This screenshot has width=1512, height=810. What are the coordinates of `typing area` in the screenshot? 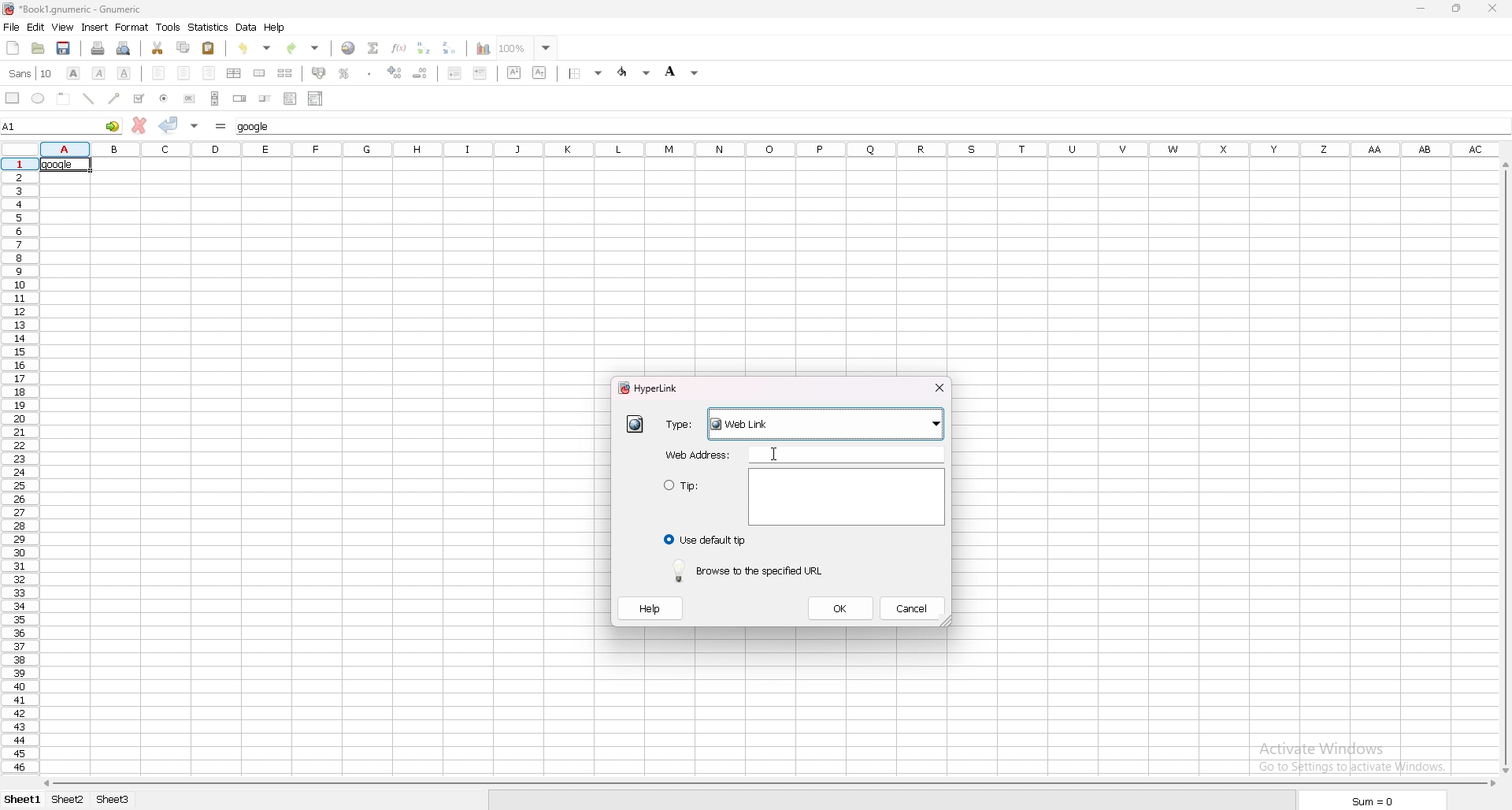 It's located at (846, 452).